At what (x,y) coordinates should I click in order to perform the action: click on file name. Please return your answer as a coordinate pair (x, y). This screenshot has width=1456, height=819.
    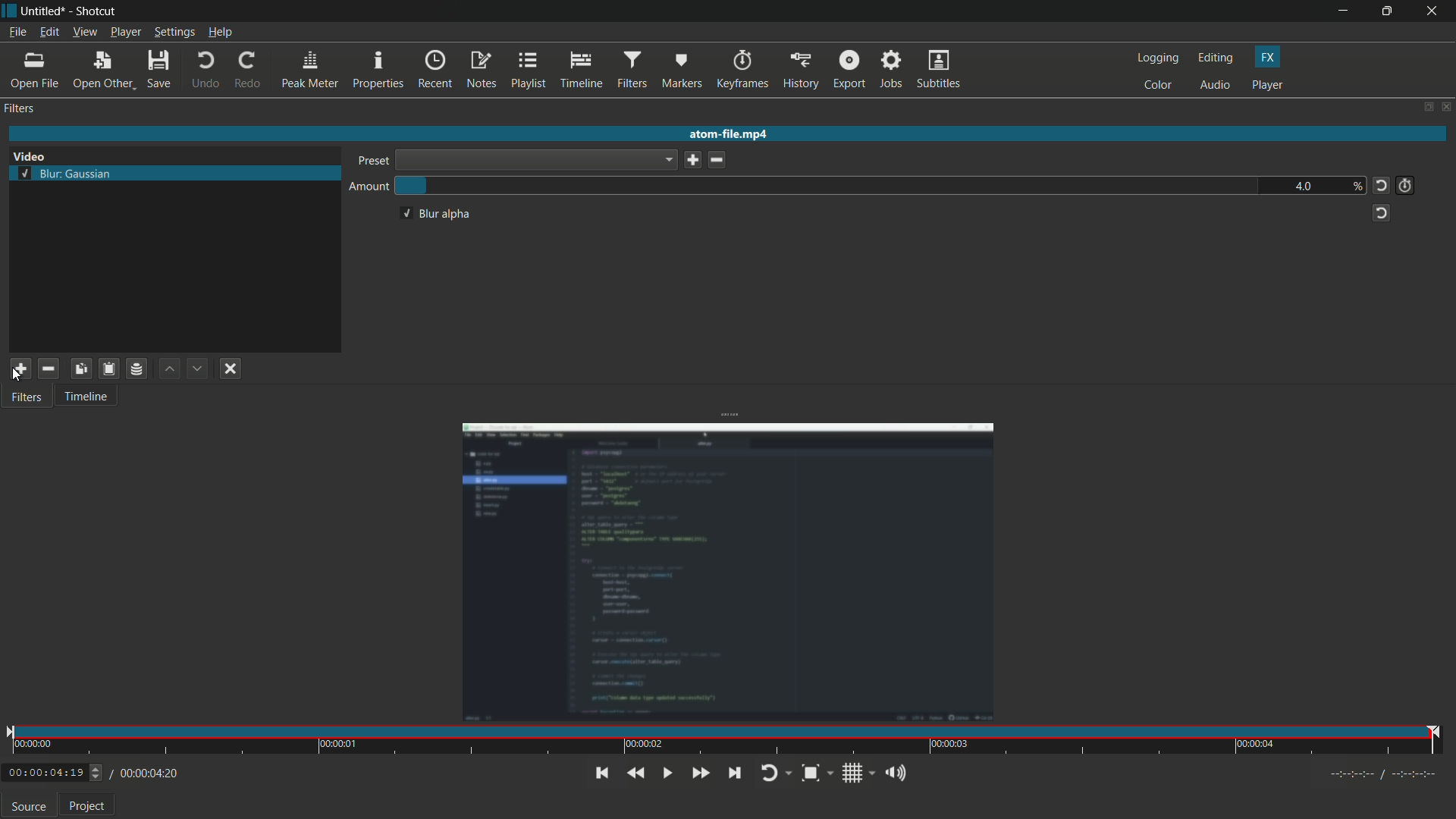
    Looking at the image, I should click on (40, 12).